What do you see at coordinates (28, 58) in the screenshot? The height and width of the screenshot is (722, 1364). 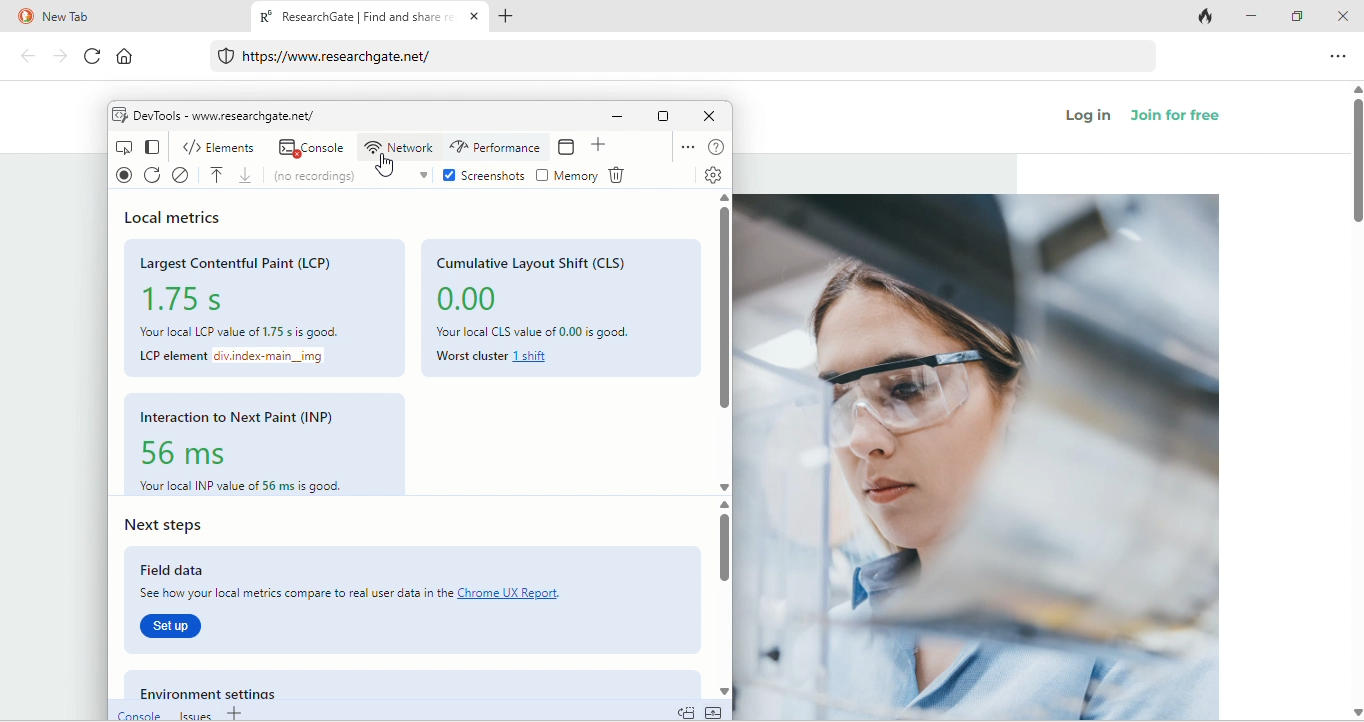 I see `back` at bounding box center [28, 58].